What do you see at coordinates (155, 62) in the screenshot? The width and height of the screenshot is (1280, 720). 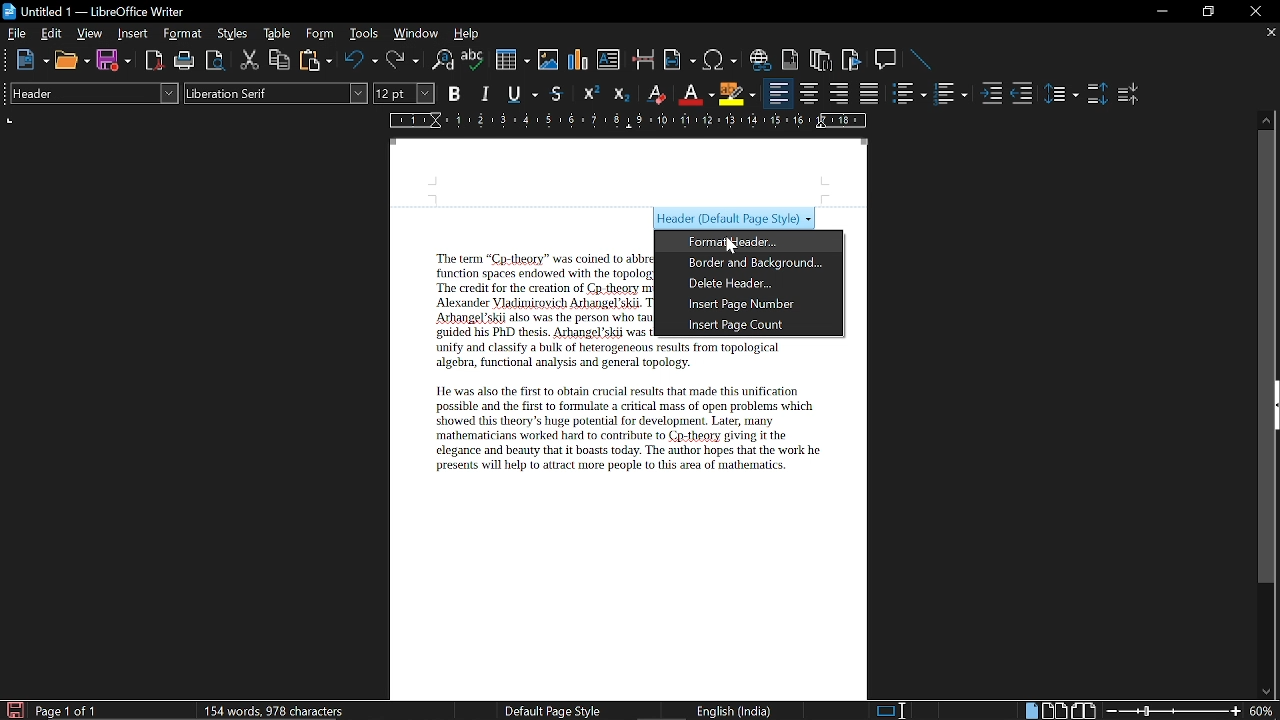 I see `export as PDF` at bounding box center [155, 62].